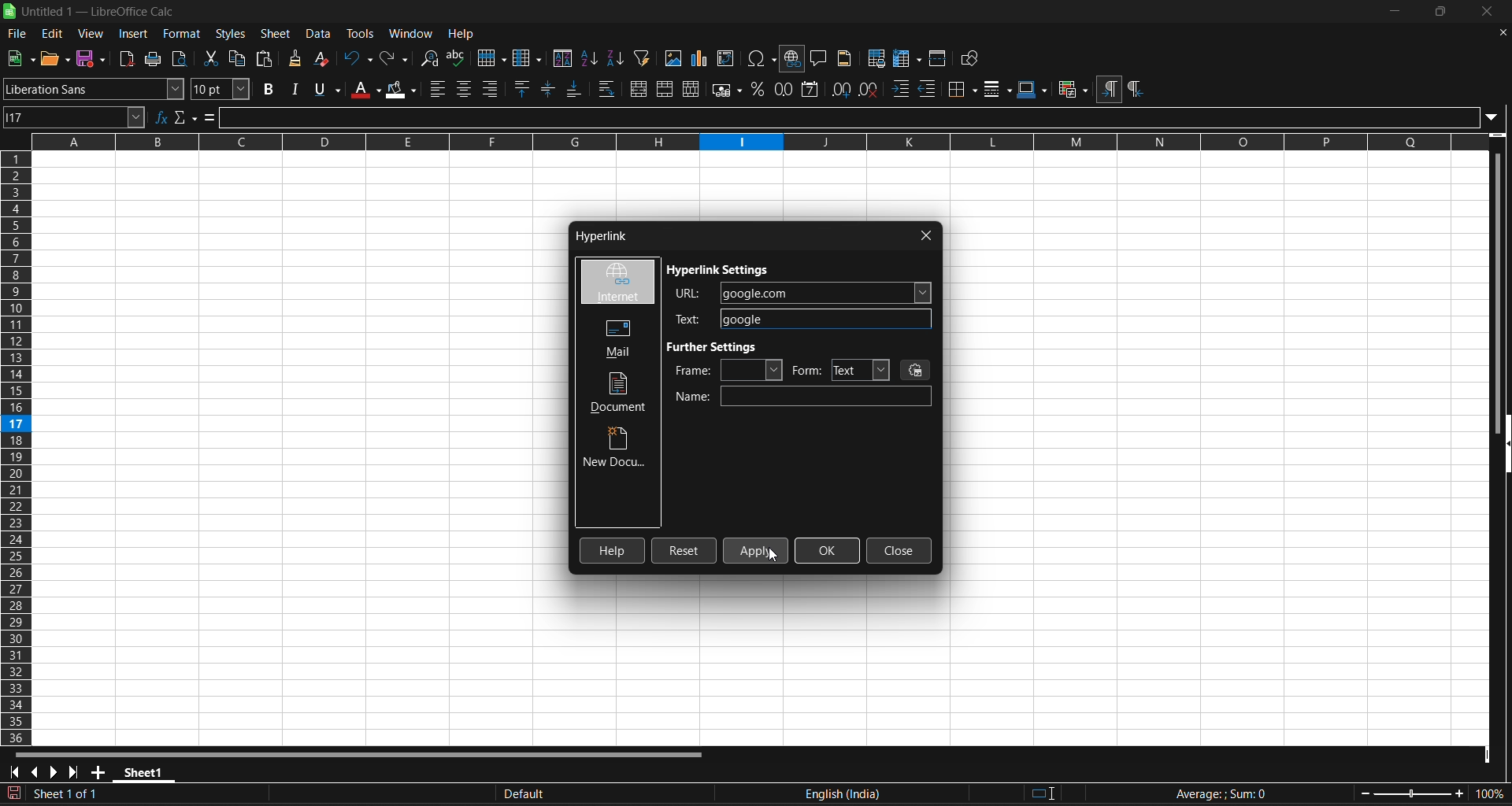  What do you see at coordinates (239, 57) in the screenshot?
I see `copy ` at bounding box center [239, 57].